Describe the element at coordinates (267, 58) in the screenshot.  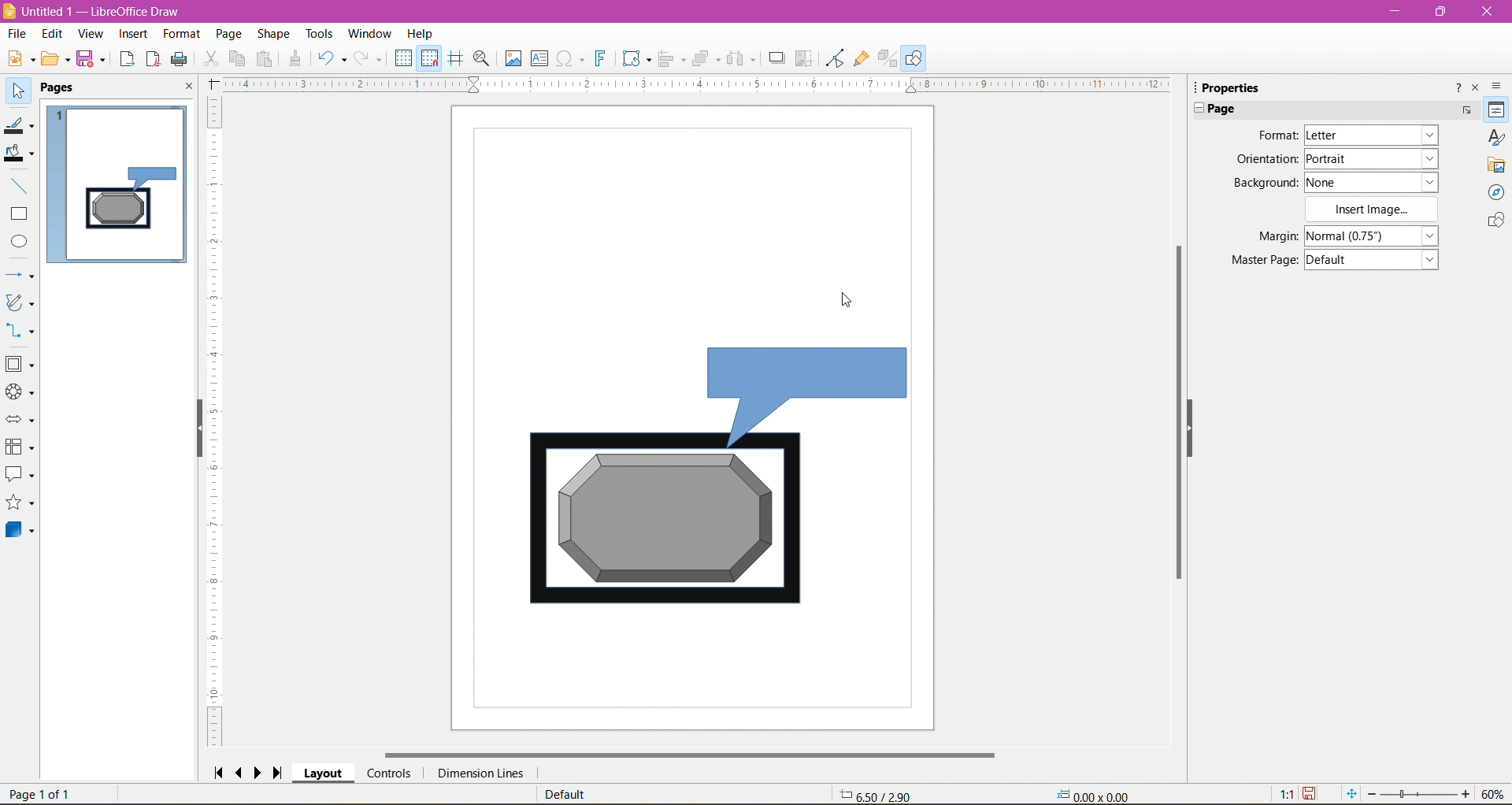
I see `Paste` at that location.